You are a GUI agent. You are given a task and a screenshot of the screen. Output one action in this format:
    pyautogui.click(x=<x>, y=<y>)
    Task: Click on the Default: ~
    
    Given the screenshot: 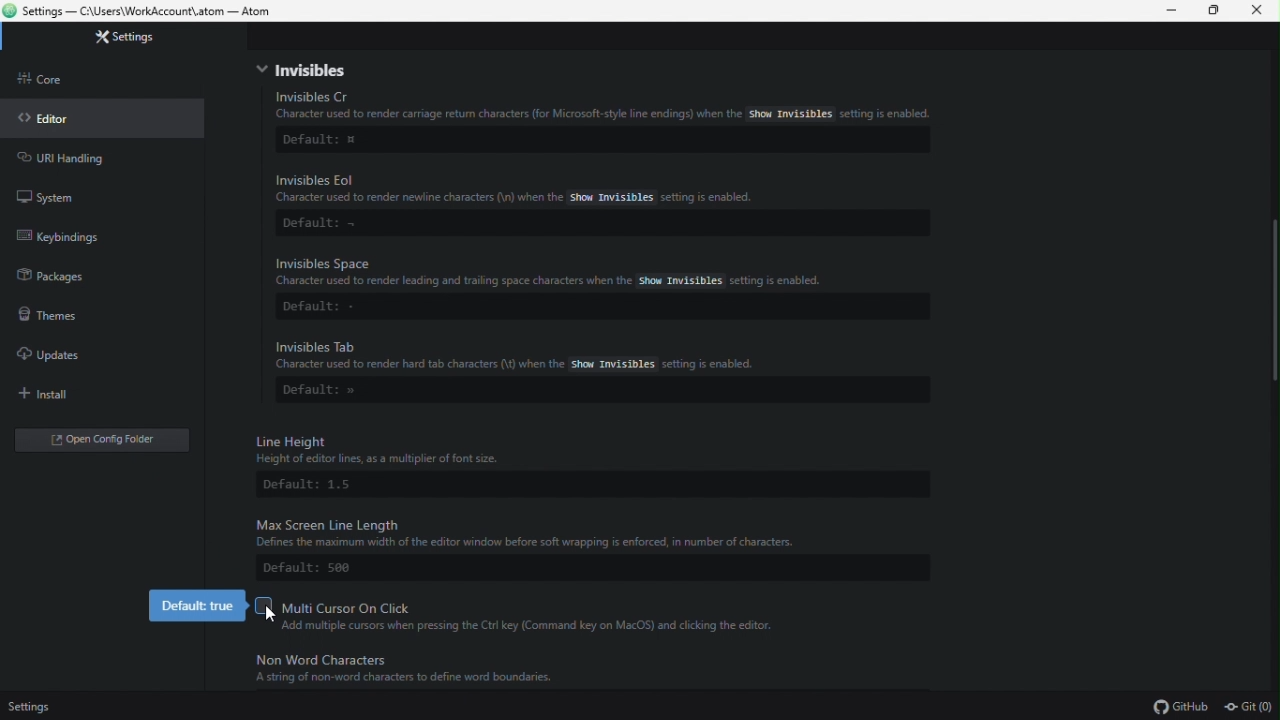 What is the action you would take?
    pyautogui.click(x=324, y=223)
    